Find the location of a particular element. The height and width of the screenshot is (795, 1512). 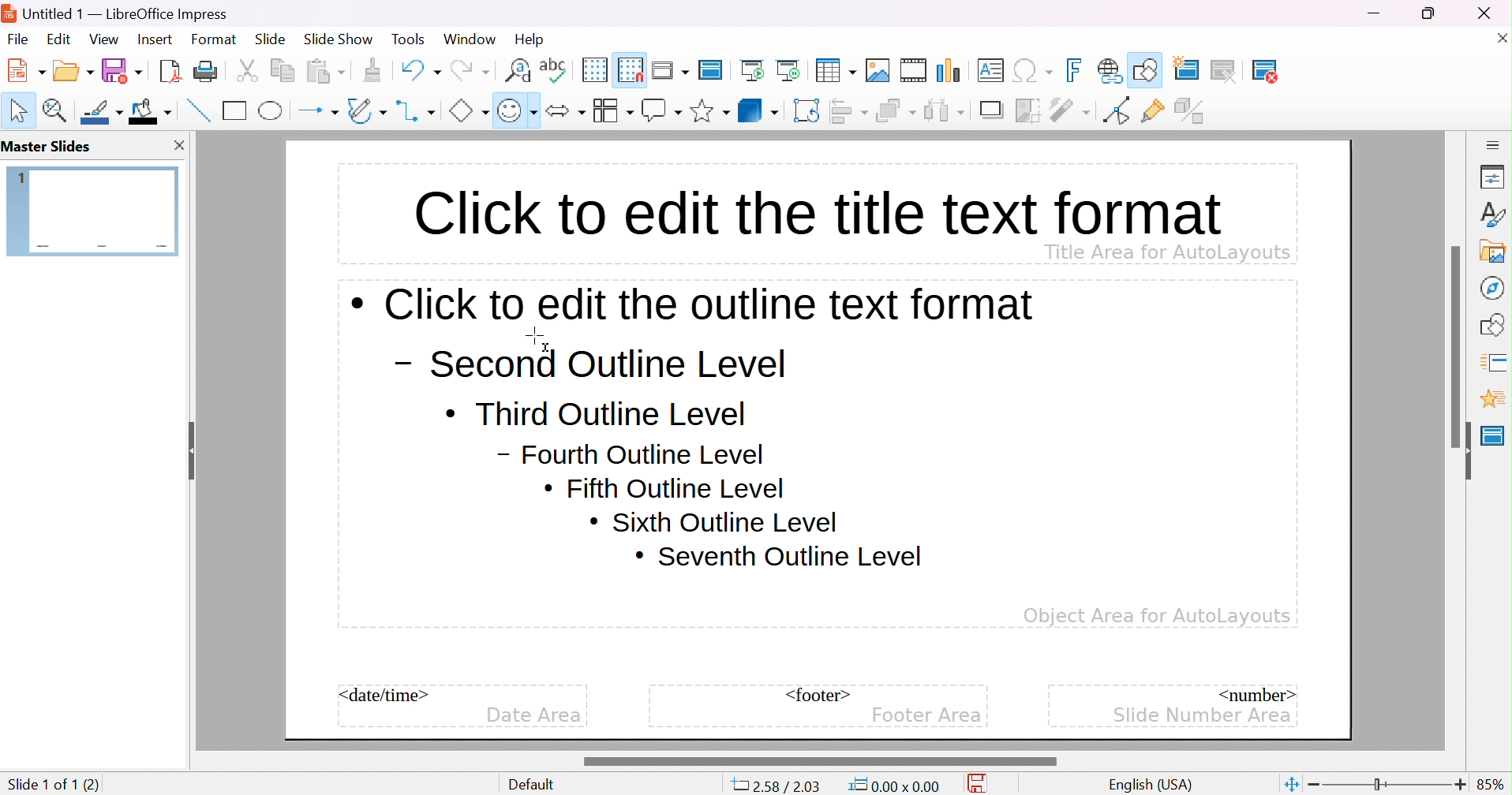

close is located at coordinates (1499, 37).